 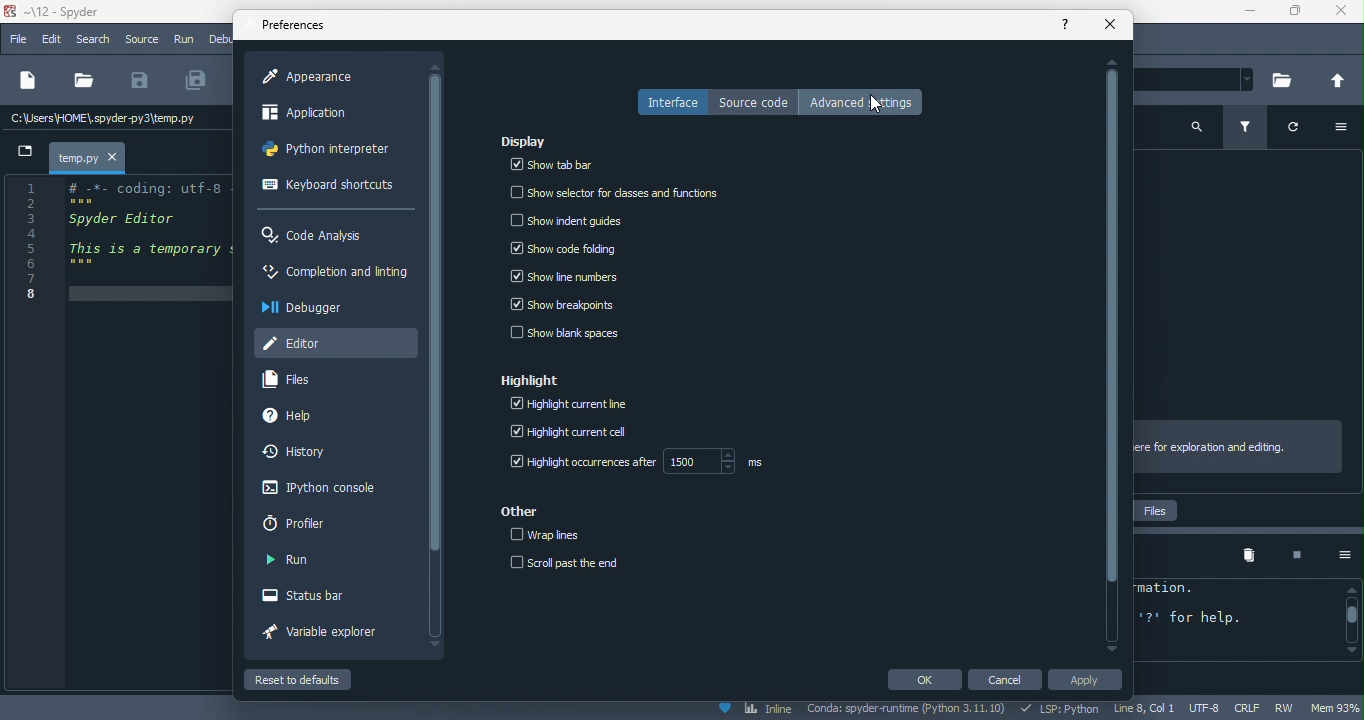 What do you see at coordinates (671, 102) in the screenshot?
I see `interface` at bounding box center [671, 102].